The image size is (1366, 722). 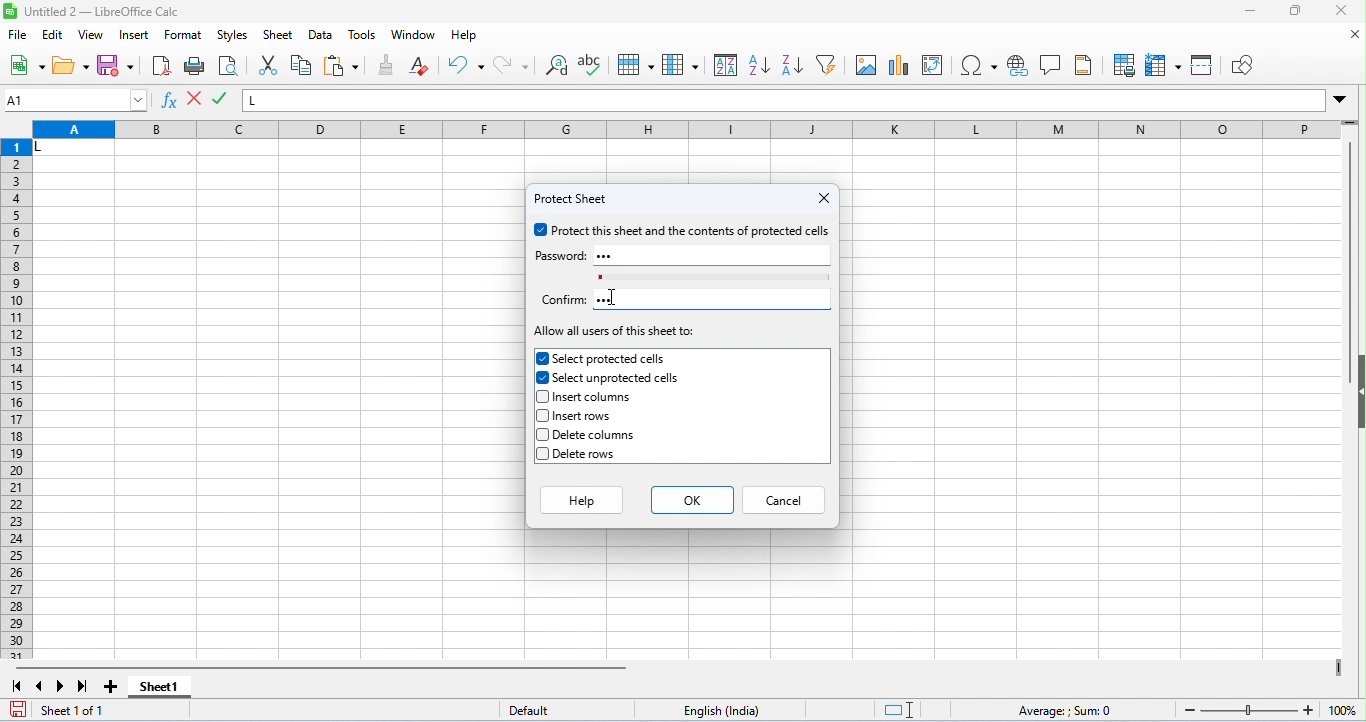 What do you see at coordinates (1067, 711) in the screenshot?
I see `formula` at bounding box center [1067, 711].